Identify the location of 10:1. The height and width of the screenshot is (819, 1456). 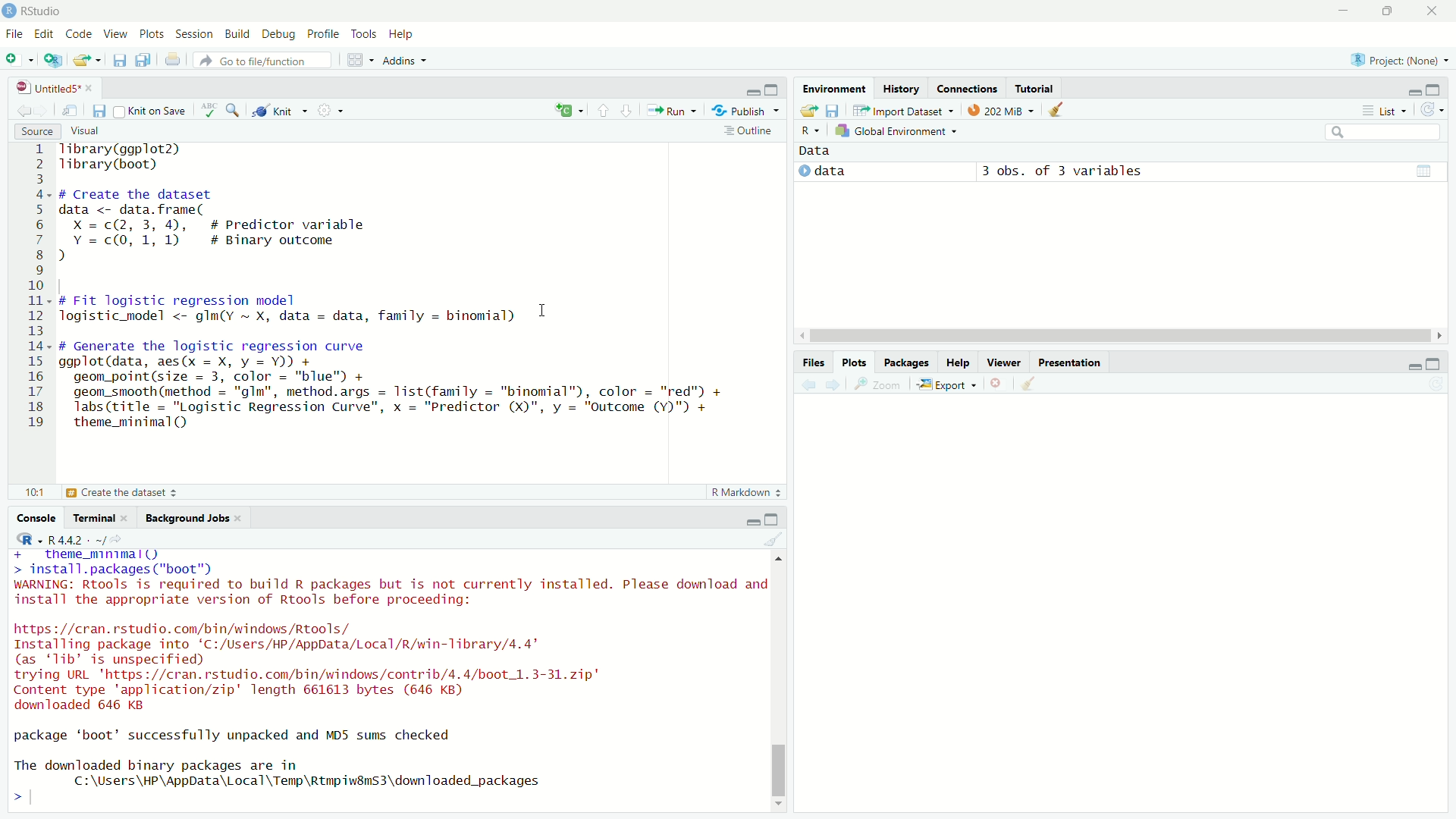
(34, 492).